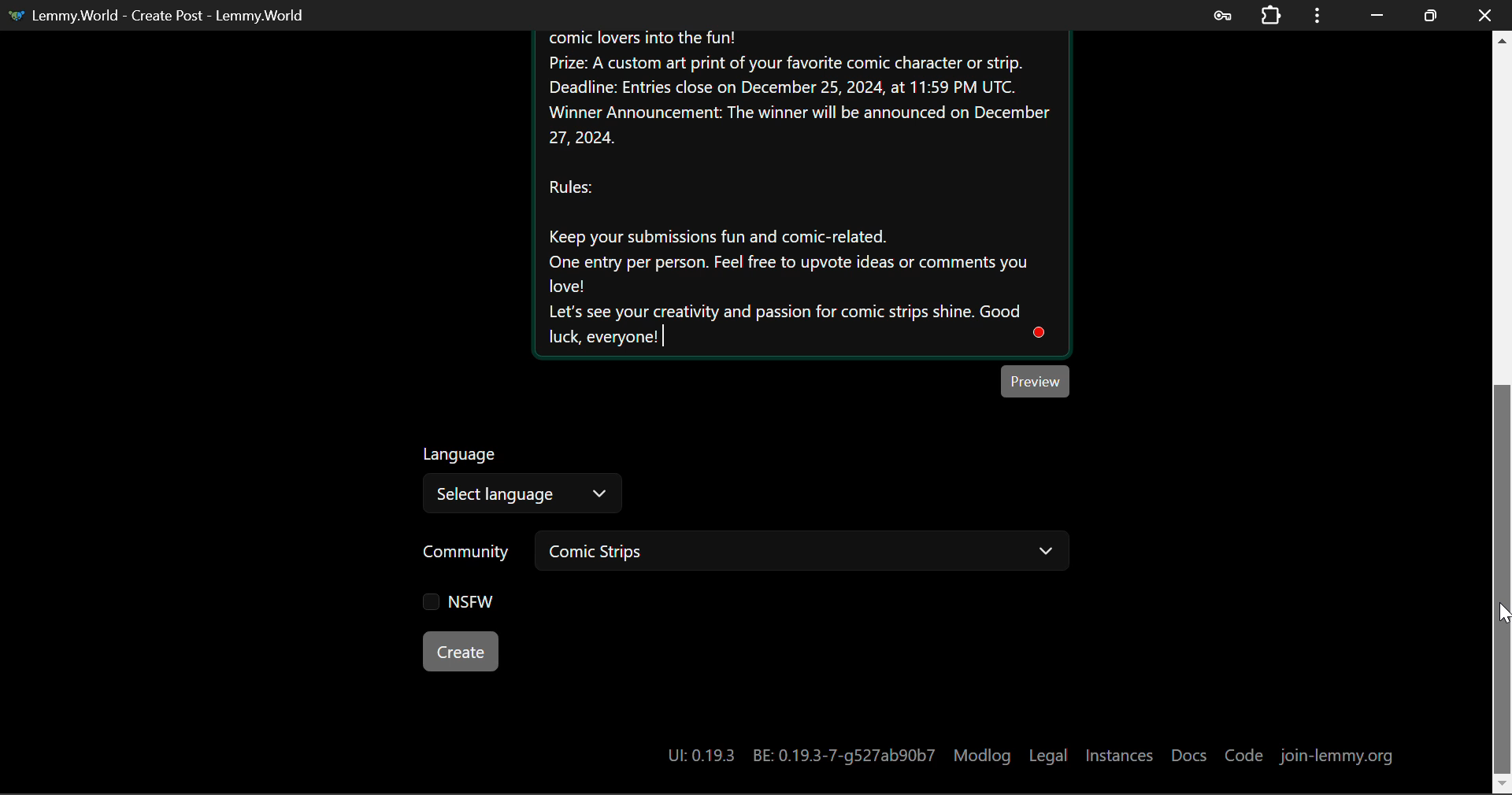 Image resolution: width=1512 pixels, height=795 pixels. What do you see at coordinates (1377, 14) in the screenshot?
I see `Restore Down` at bounding box center [1377, 14].